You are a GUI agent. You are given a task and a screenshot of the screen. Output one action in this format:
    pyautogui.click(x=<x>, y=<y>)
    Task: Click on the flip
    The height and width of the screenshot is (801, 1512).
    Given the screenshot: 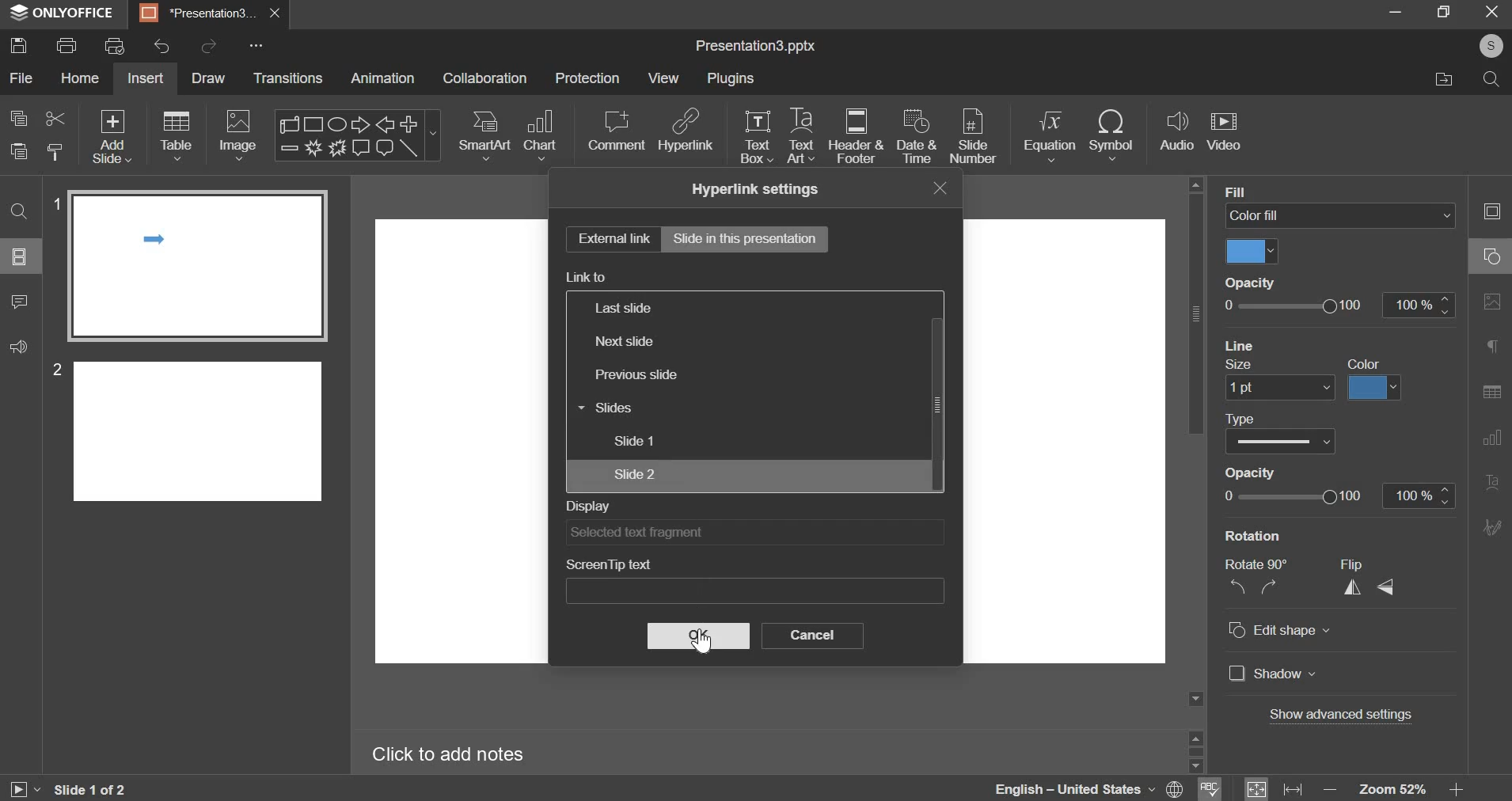 What is the action you would take?
    pyautogui.click(x=1351, y=565)
    